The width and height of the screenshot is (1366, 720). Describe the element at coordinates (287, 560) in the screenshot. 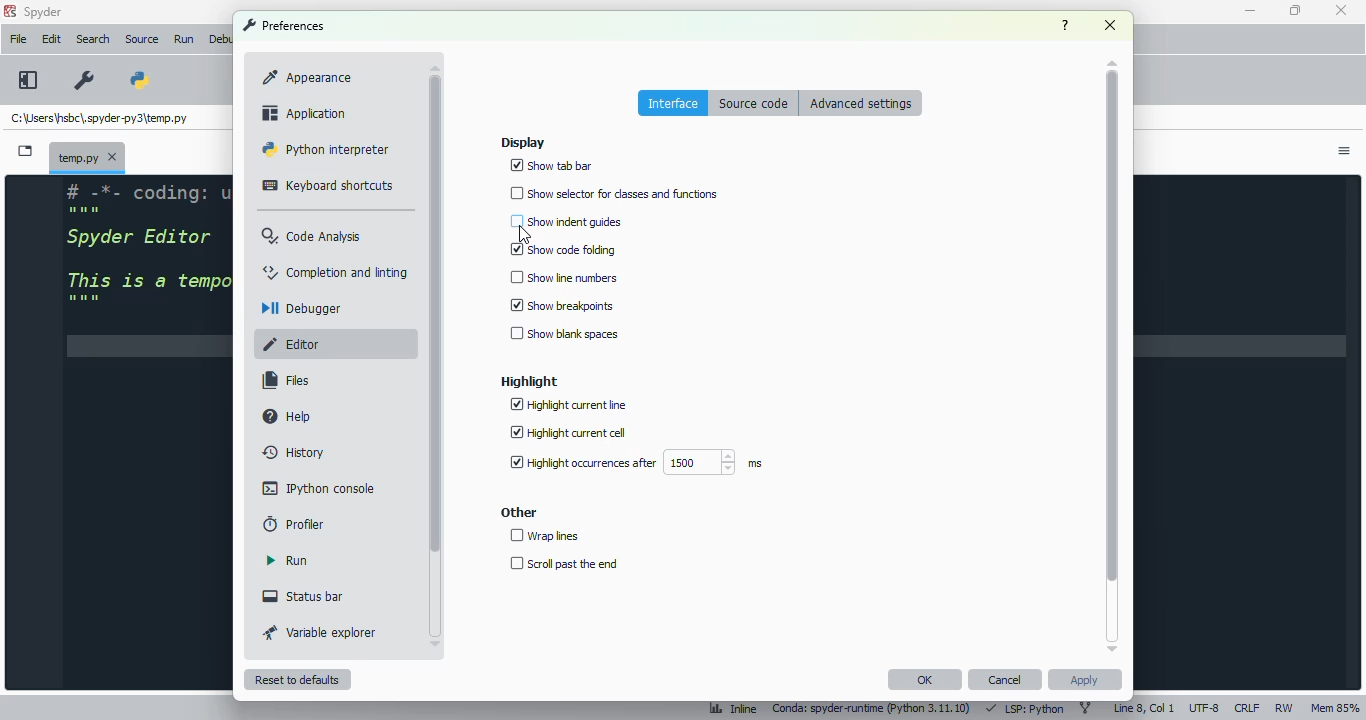

I see `run` at that location.